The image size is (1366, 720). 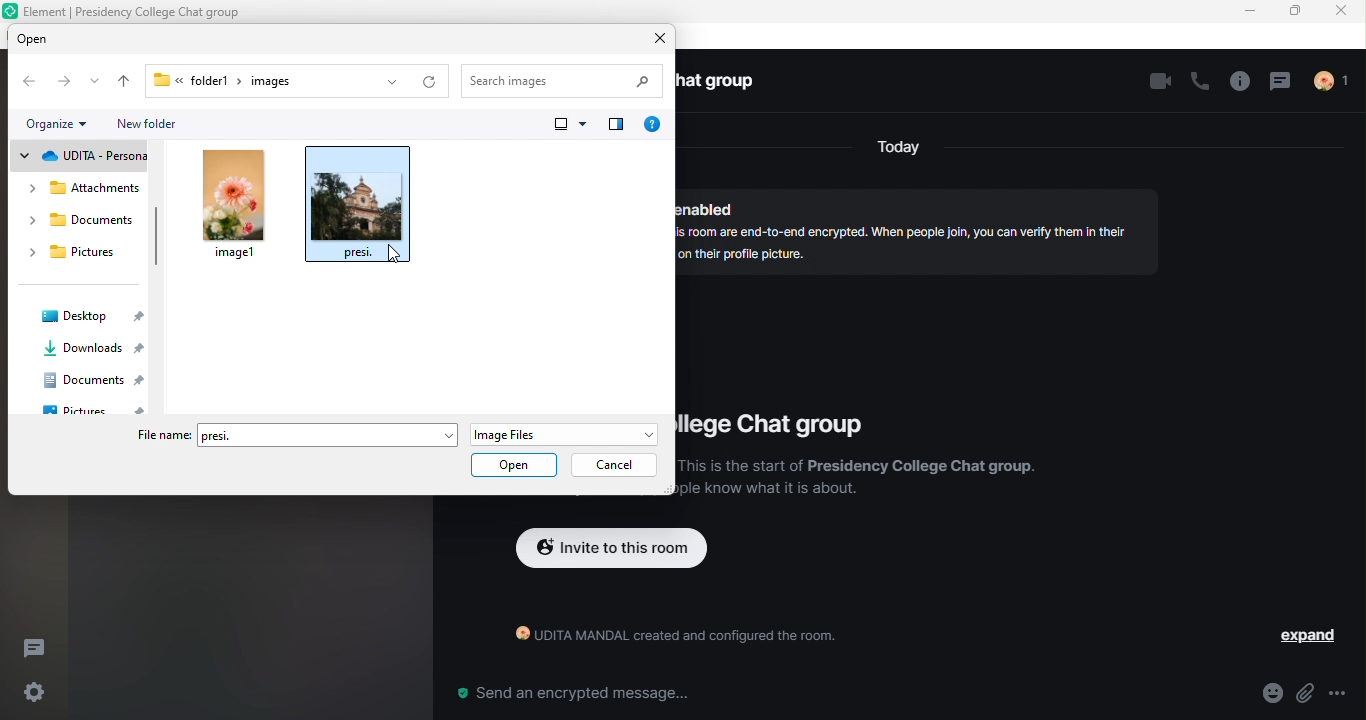 What do you see at coordinates (725, 83) in the screenshot?
I see `hat group` at bounding box center [725, 83].